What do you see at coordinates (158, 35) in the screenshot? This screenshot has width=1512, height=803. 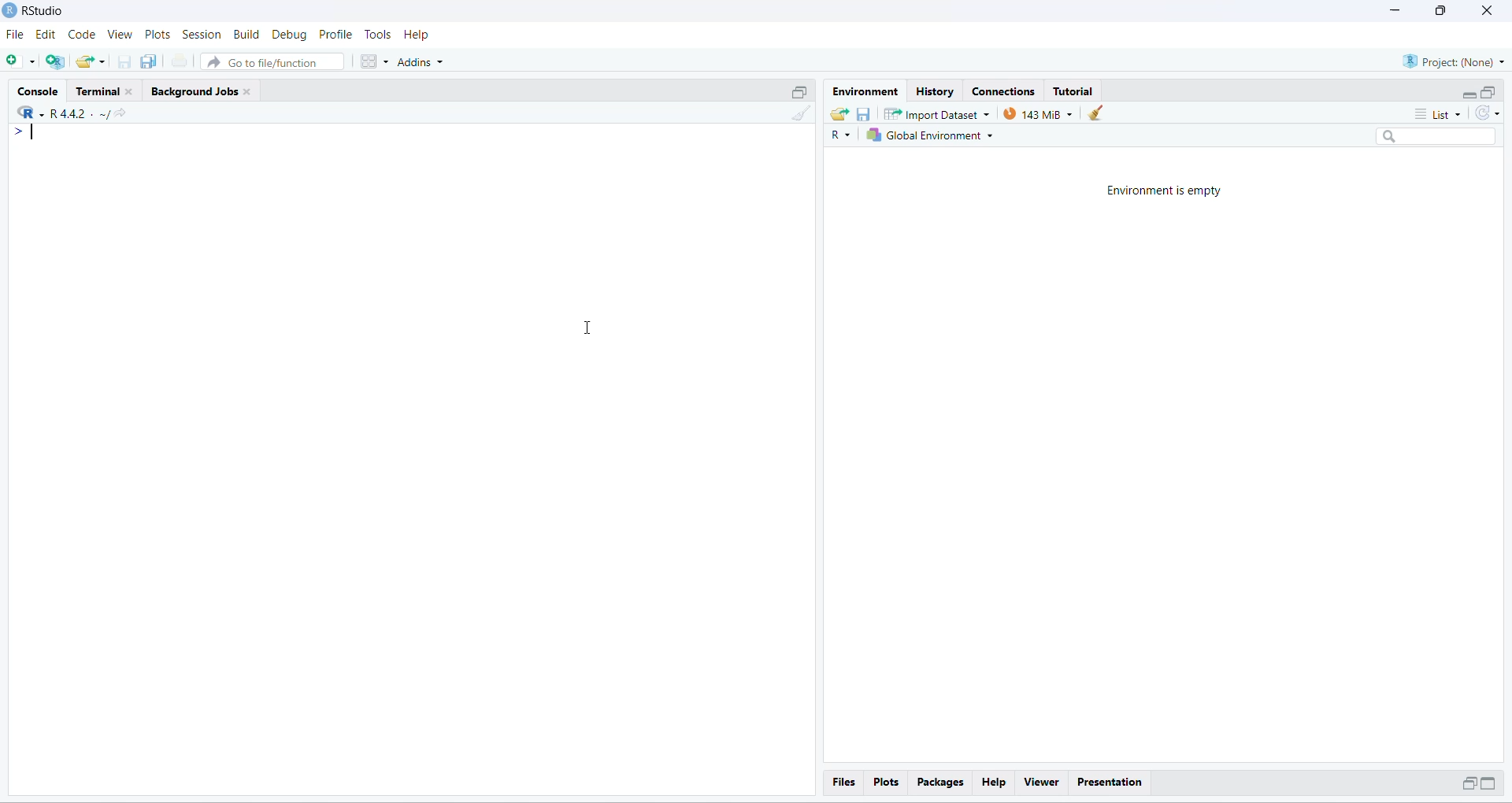 I see `plots` at bounding box center [158, 35].